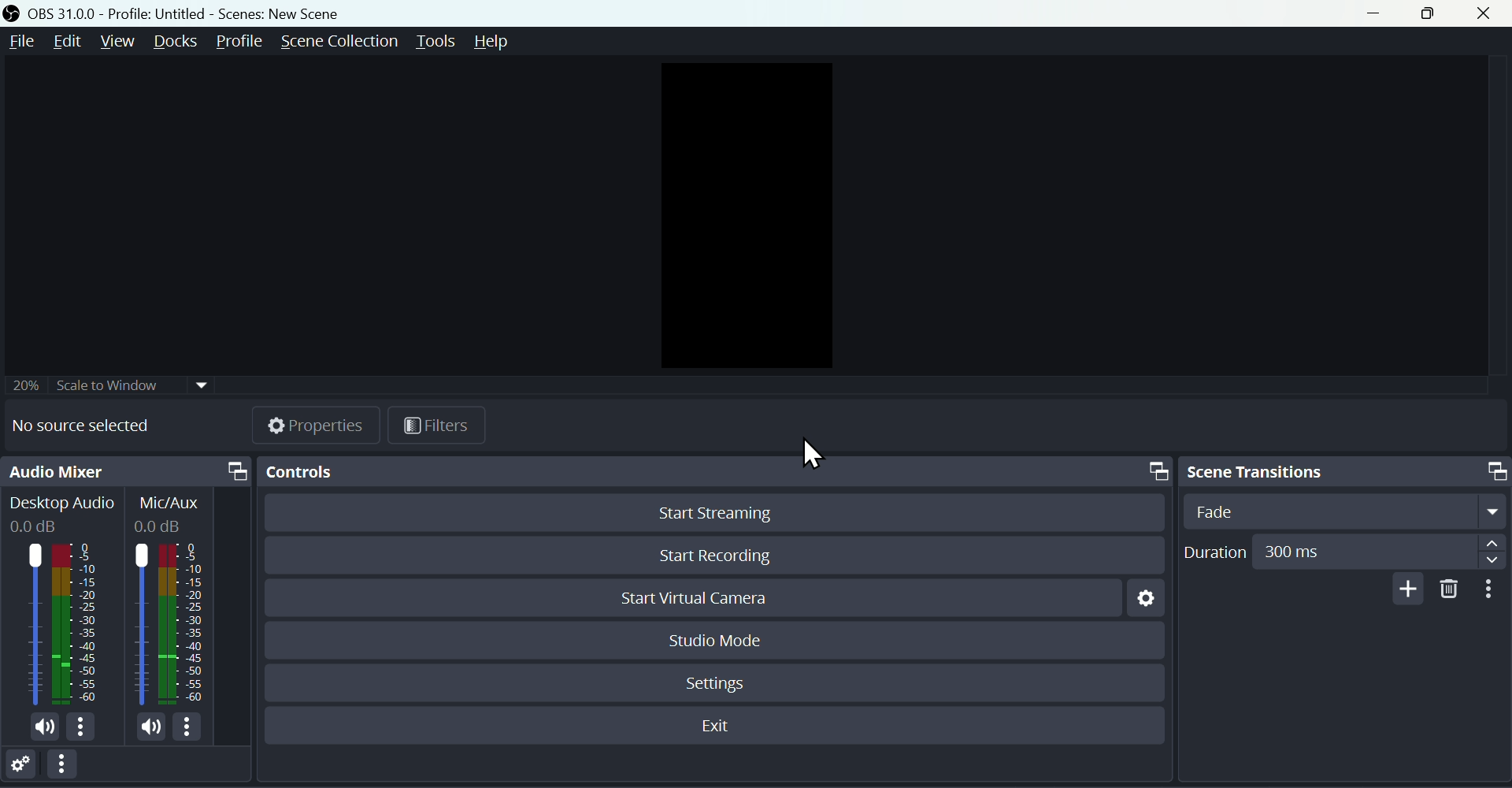  What do you see at coordinates (319, 424) in the screenshot?
I see `Properties` at bounding box center [319, 424].